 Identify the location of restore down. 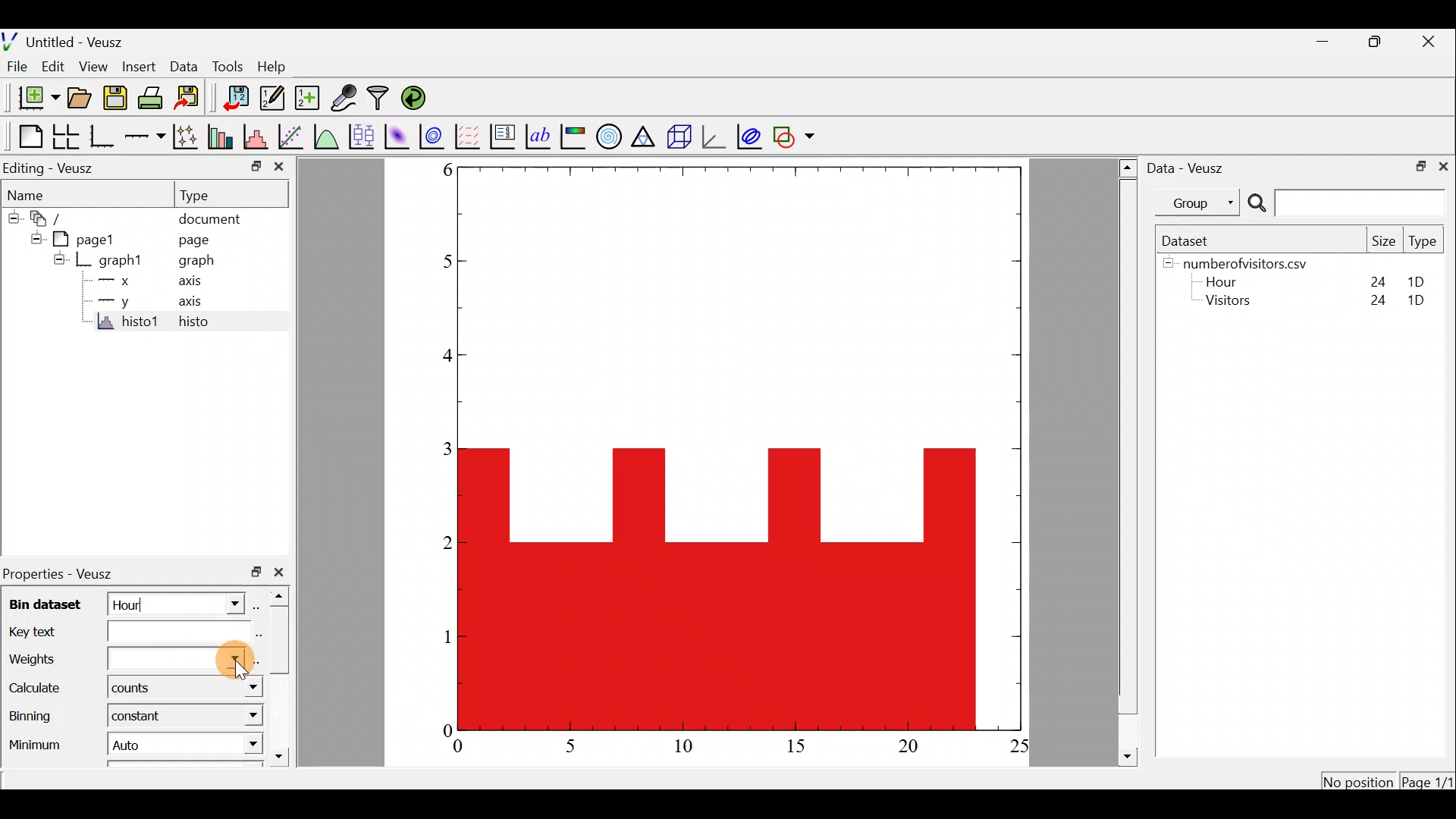
(253, 572).